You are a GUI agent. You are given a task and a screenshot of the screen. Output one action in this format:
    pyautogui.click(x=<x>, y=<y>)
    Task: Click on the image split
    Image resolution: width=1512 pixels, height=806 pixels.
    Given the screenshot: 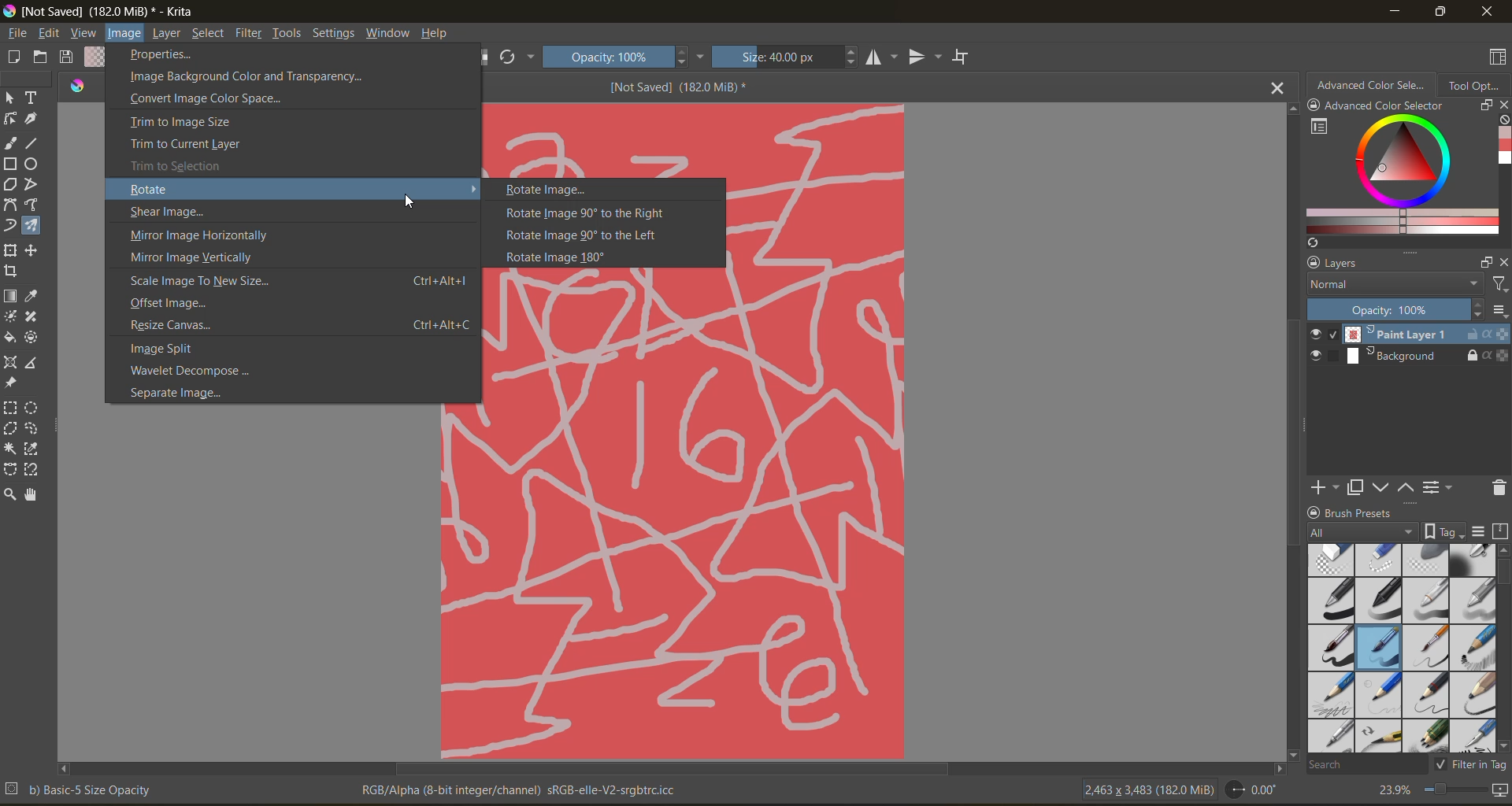 What is the action you would take?
    pyautogui.click(x=180, y=349)
    